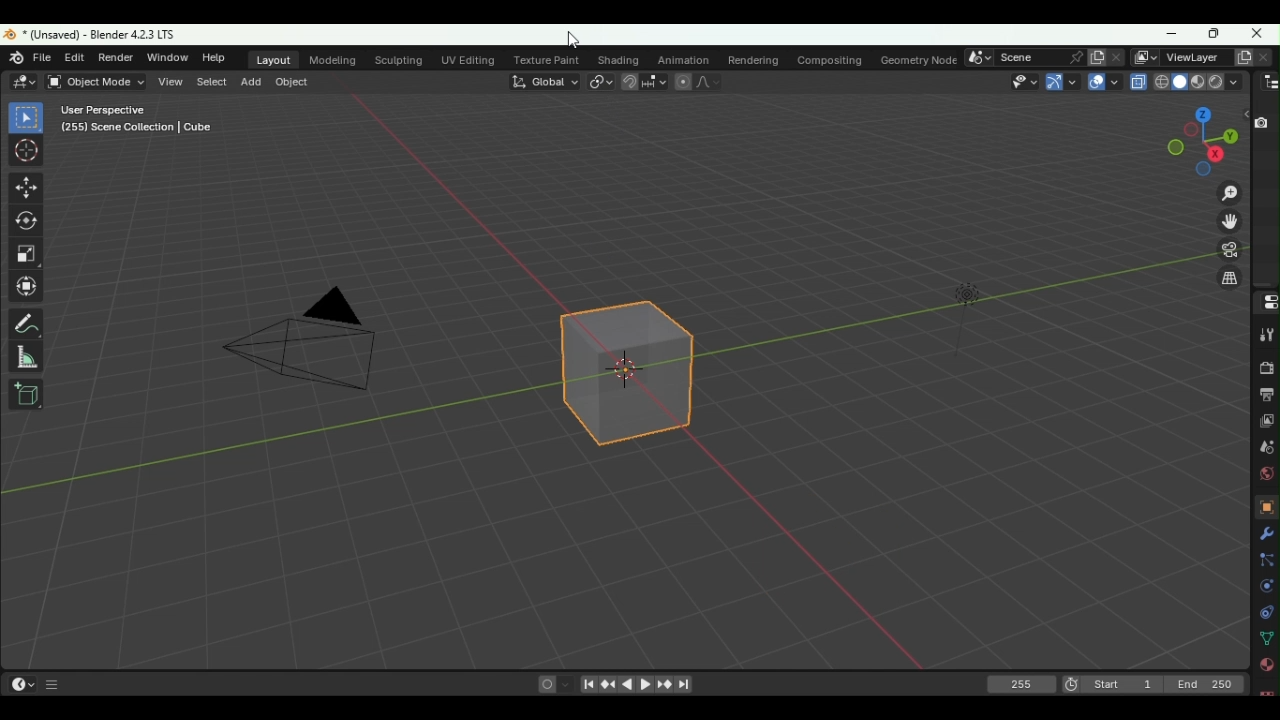 Image resolution: width=1280 pixels, height=720 pixels. I want to click on Shading, so click(616, 60).